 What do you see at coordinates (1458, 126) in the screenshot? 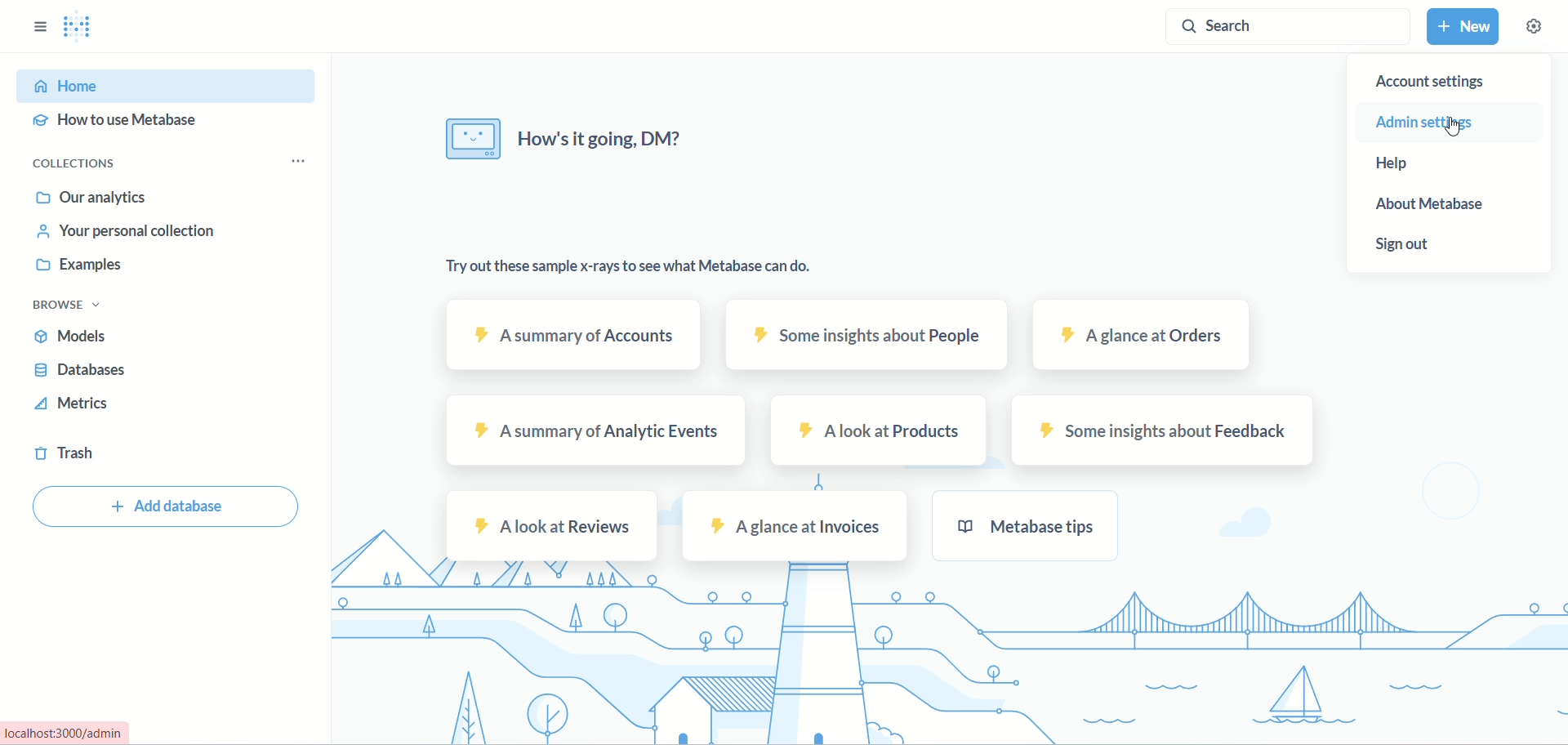
I see `Cursor` at bounding box center [1458, 126].